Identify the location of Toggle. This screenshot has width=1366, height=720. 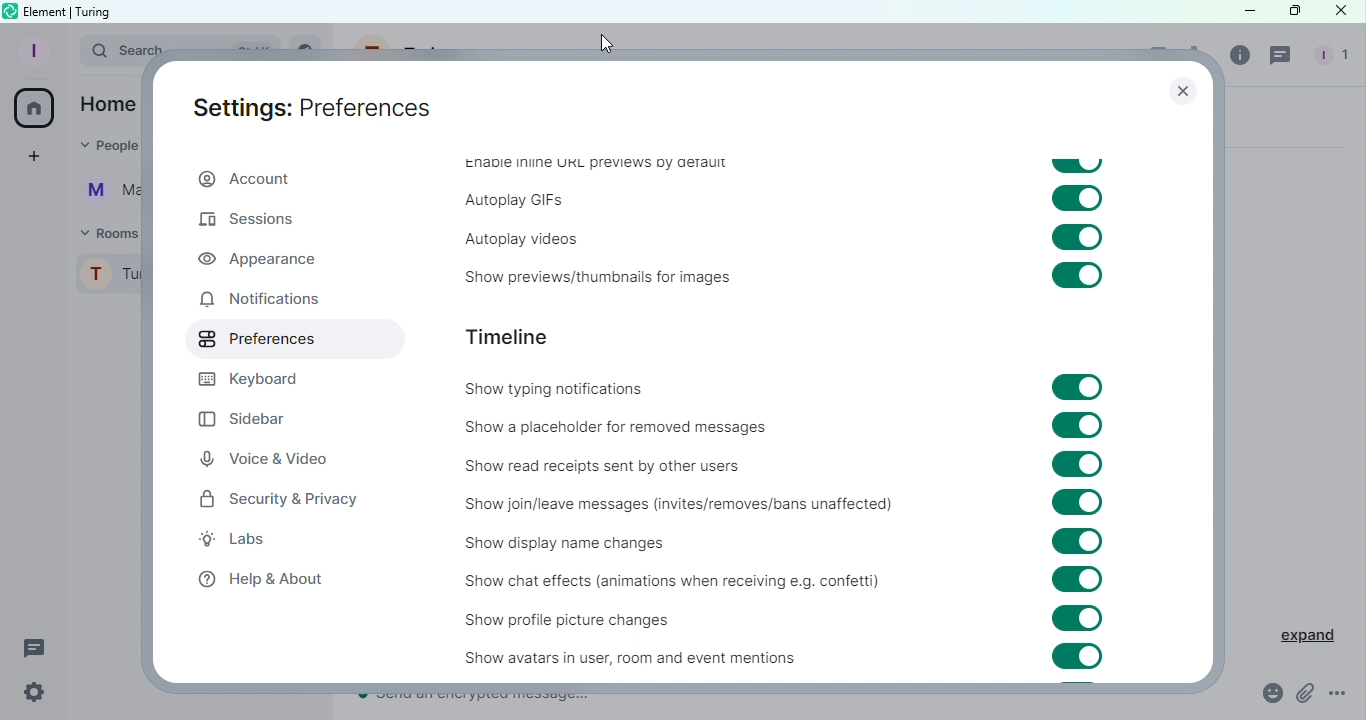
(1075, 237).